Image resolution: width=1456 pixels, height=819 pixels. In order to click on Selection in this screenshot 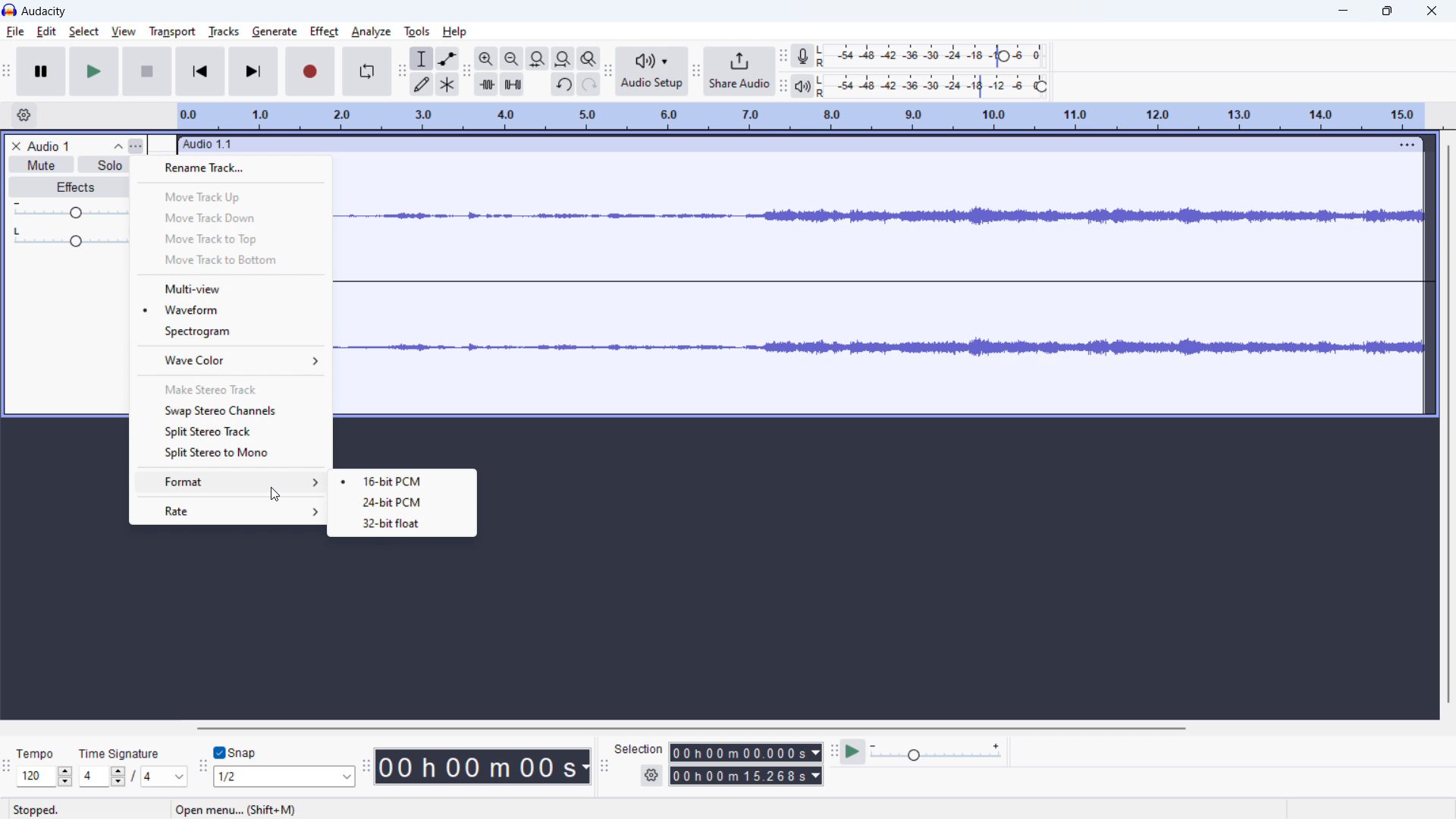, I will do `click(639, 748)`.